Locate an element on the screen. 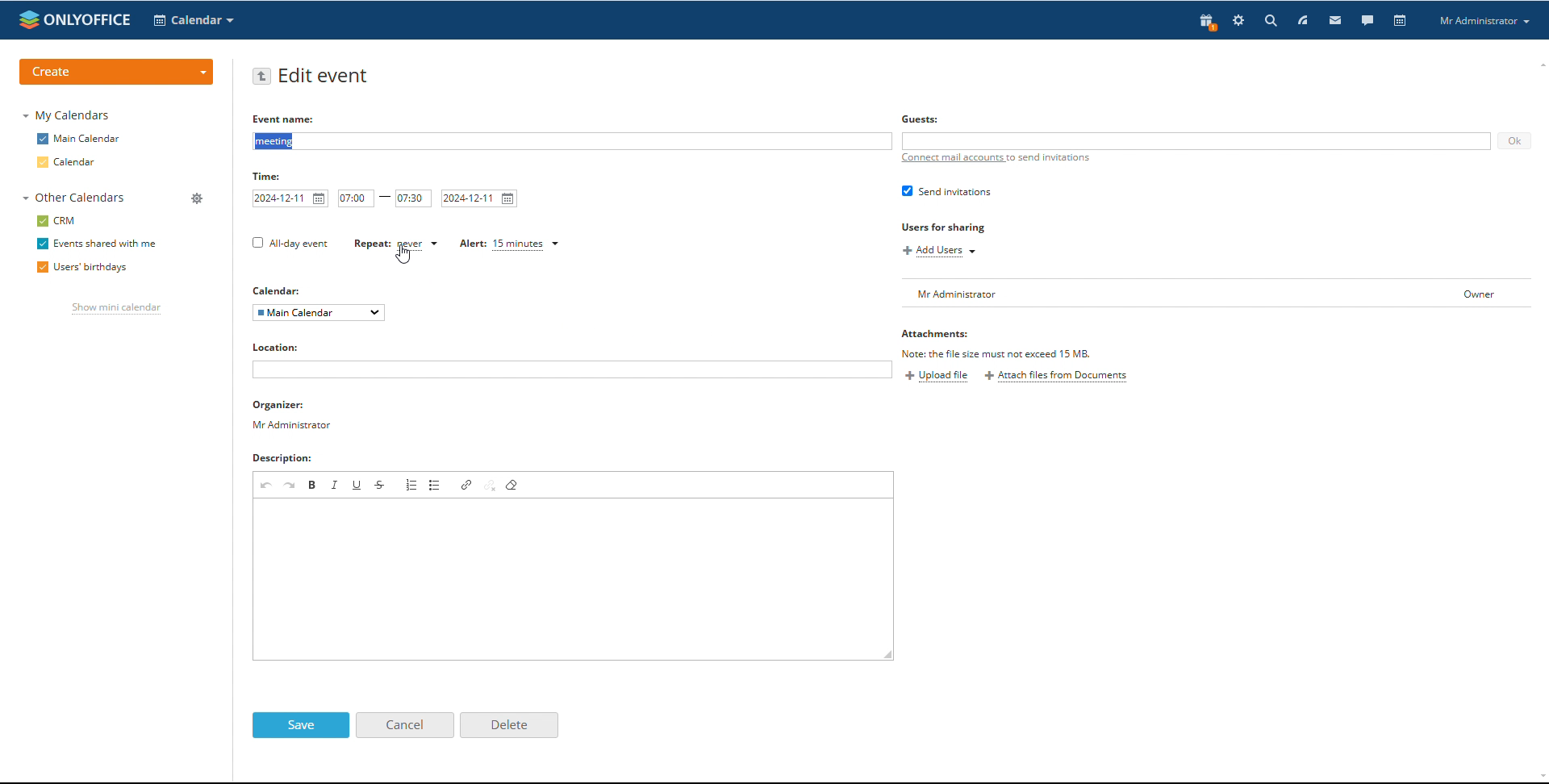 The width and height of the screenshot is (1549, 784). add event name is located at coordinates (571, 141).